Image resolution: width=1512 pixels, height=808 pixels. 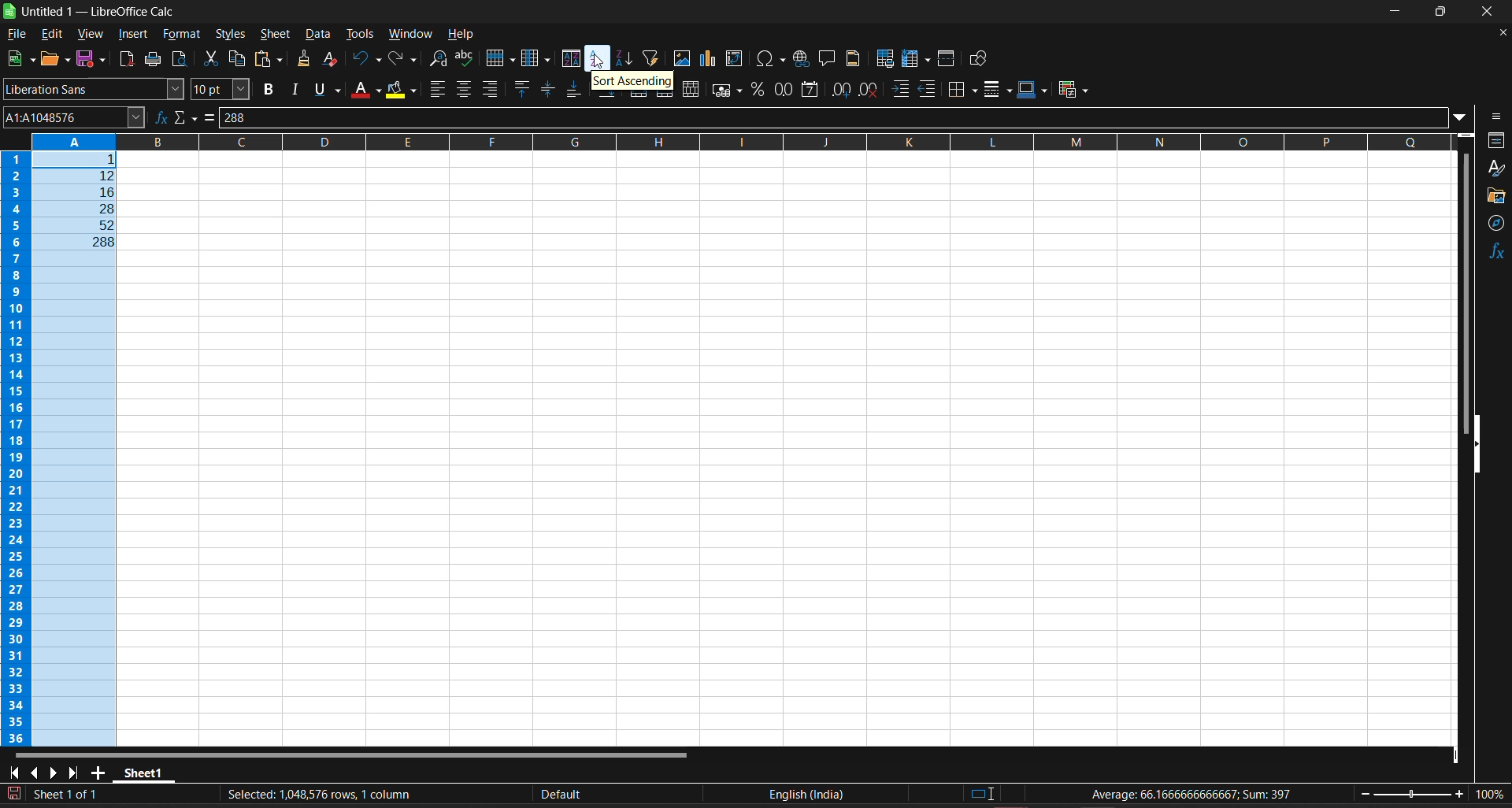 What do you see at coordinates (300, 90) in the screenshot?
I see `italic` at bounding box center [300, 90].